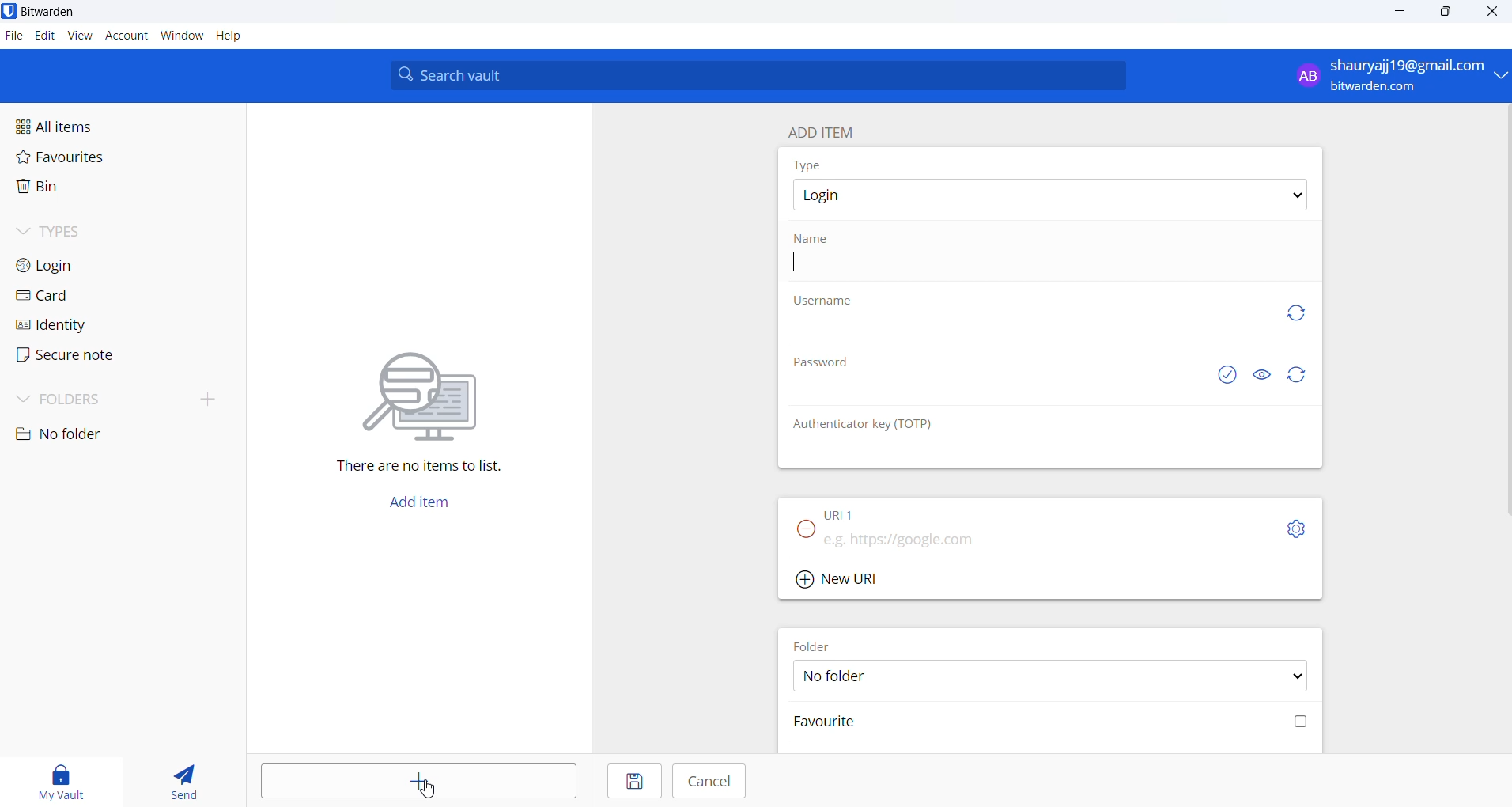 The width and height of the screenshot is (1512, 807). Describe the element at coordinates (1261, 375) in the screenshot. I see `Hide and show password ` at that location.